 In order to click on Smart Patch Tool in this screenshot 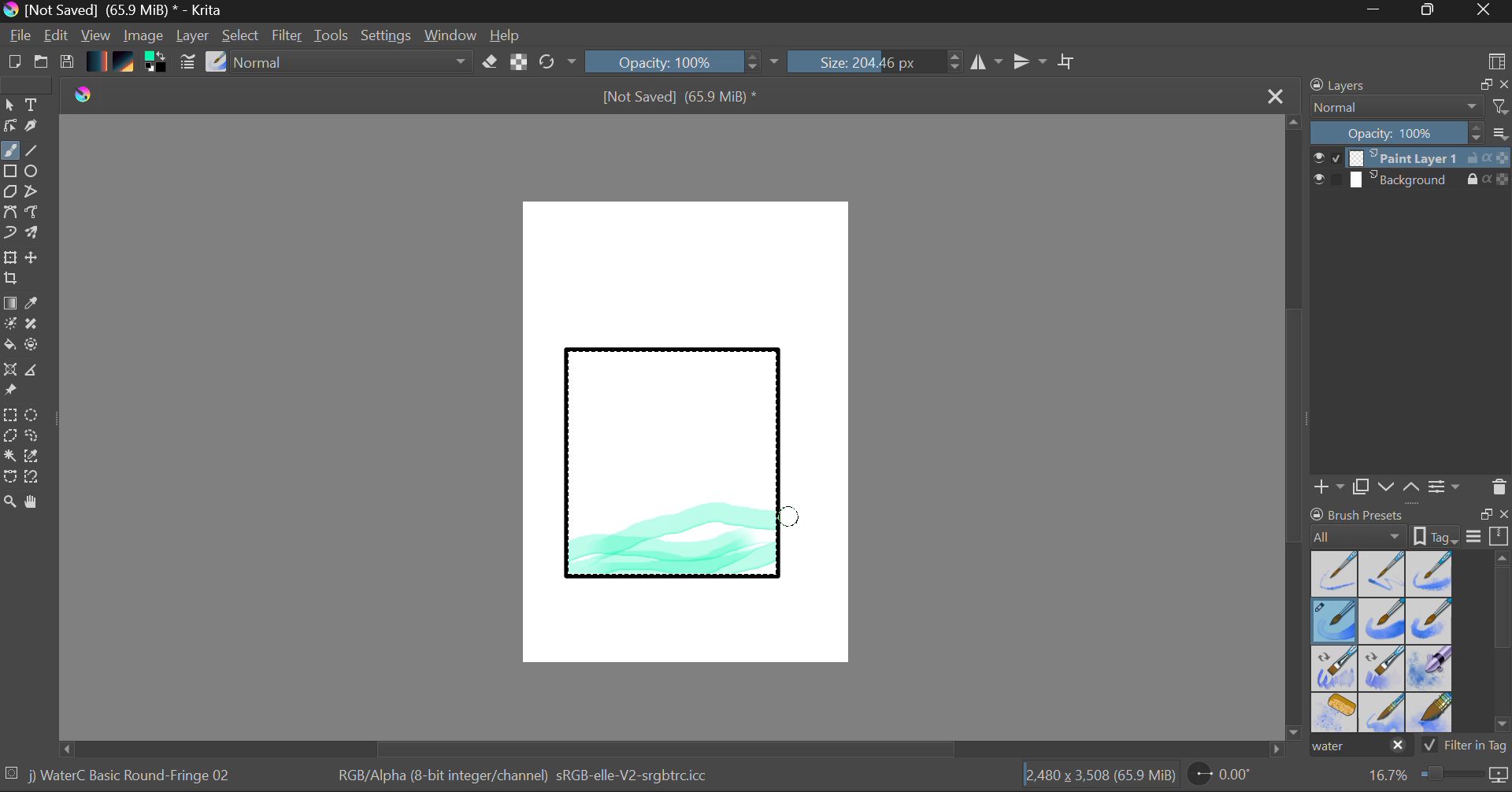, I will do `click(37, 327)`.